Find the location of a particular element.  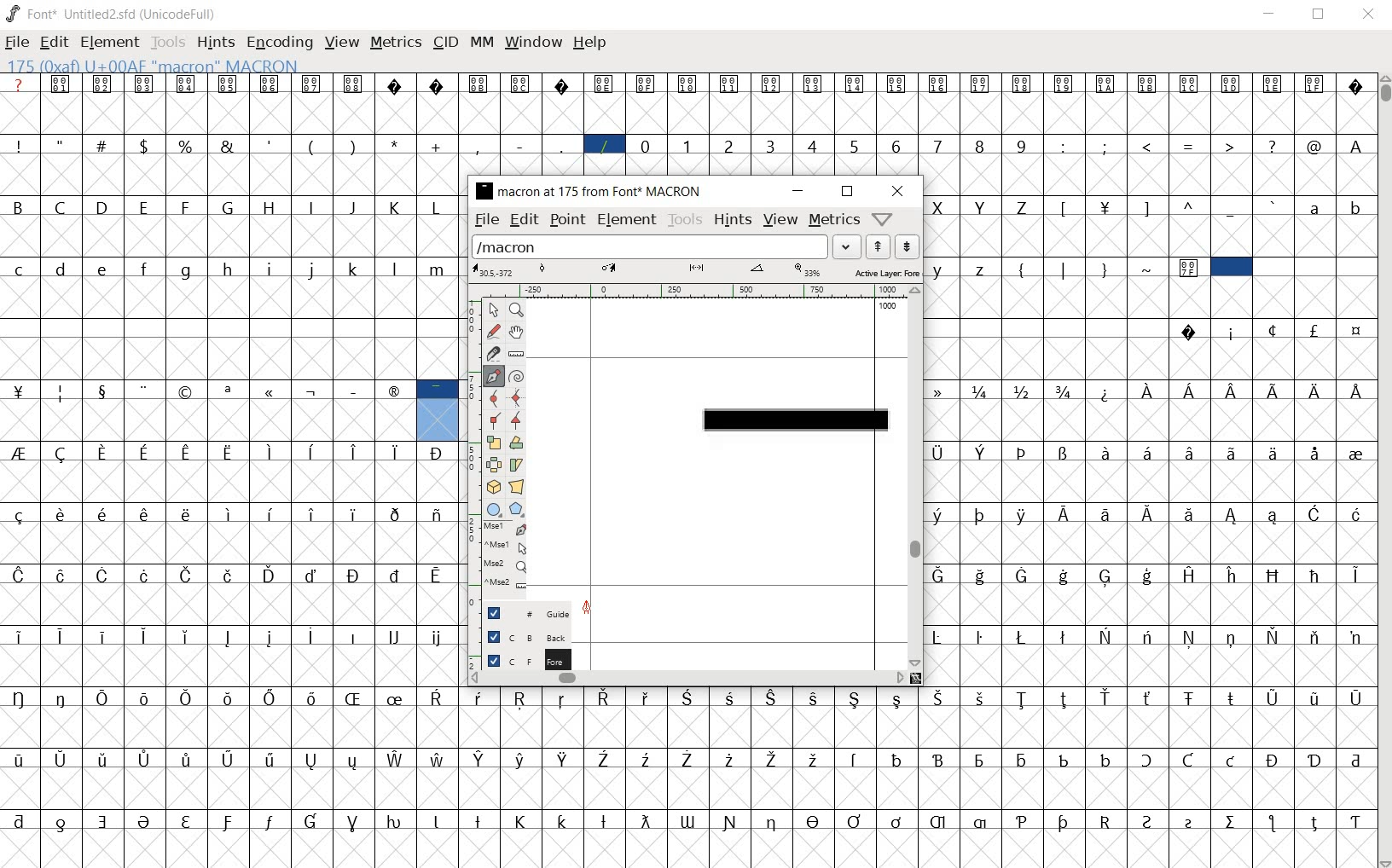

Symbol is located at coordinates (1147, 513).